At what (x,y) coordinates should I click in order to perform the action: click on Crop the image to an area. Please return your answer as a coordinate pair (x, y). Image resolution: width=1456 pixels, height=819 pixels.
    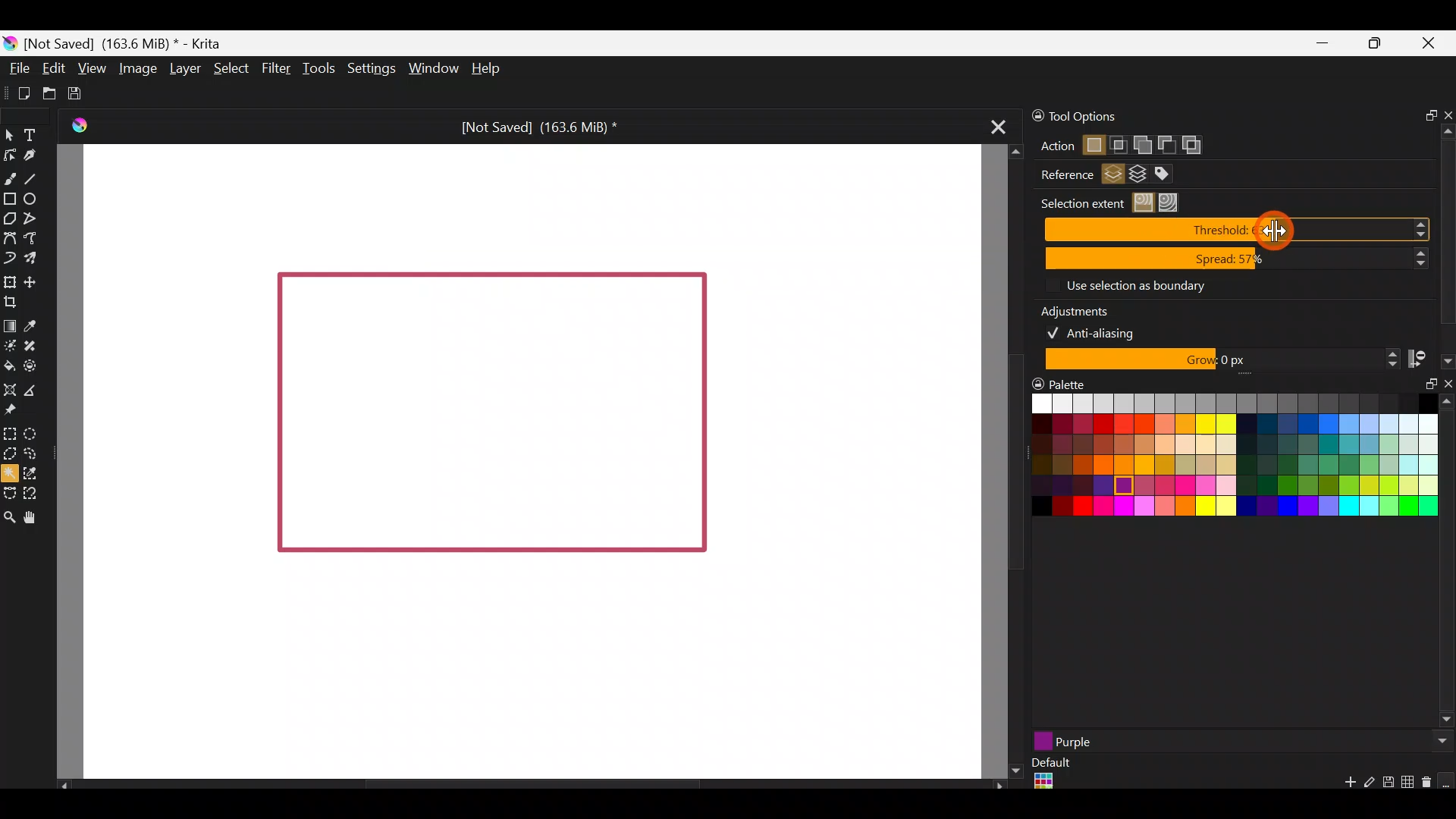
    Looking at the image, I should click on (17, 303).